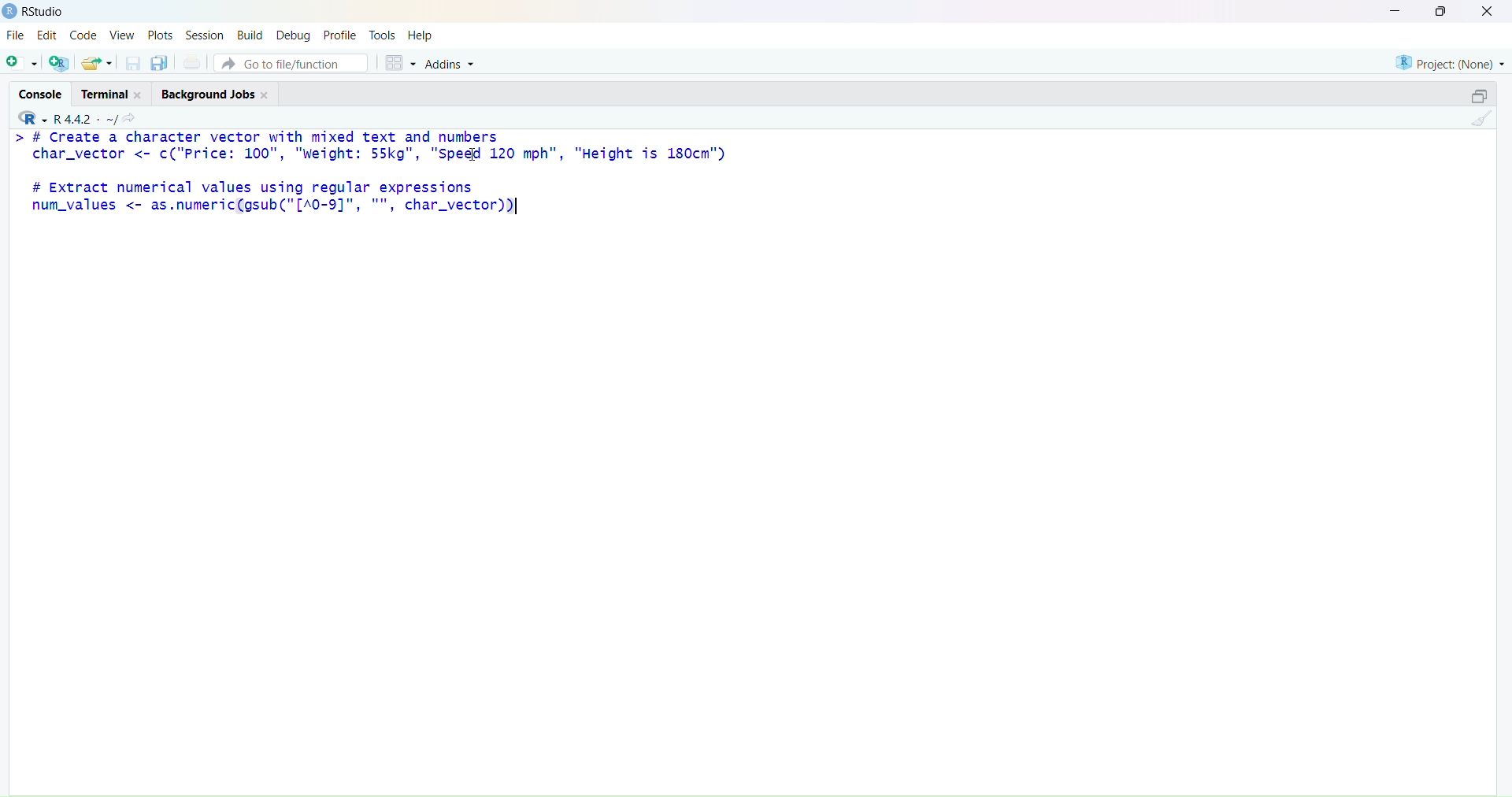 The height and width of the screenshot is (797, 1512). What do you see at coordinates (129, 120) in the screenshot?
I see `share` at bounding box center [129, 120].